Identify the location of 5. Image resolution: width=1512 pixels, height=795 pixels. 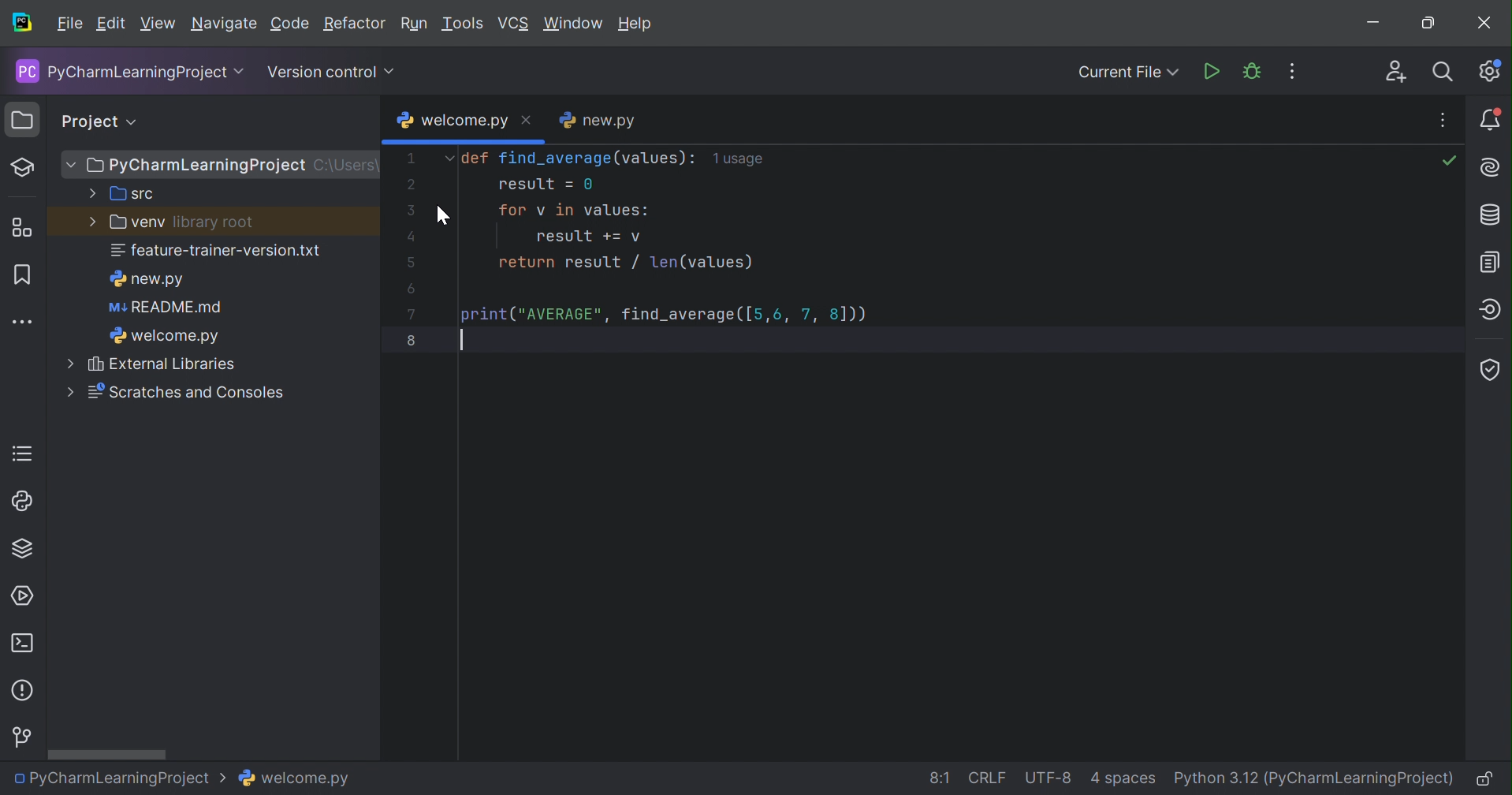
(410, 260).